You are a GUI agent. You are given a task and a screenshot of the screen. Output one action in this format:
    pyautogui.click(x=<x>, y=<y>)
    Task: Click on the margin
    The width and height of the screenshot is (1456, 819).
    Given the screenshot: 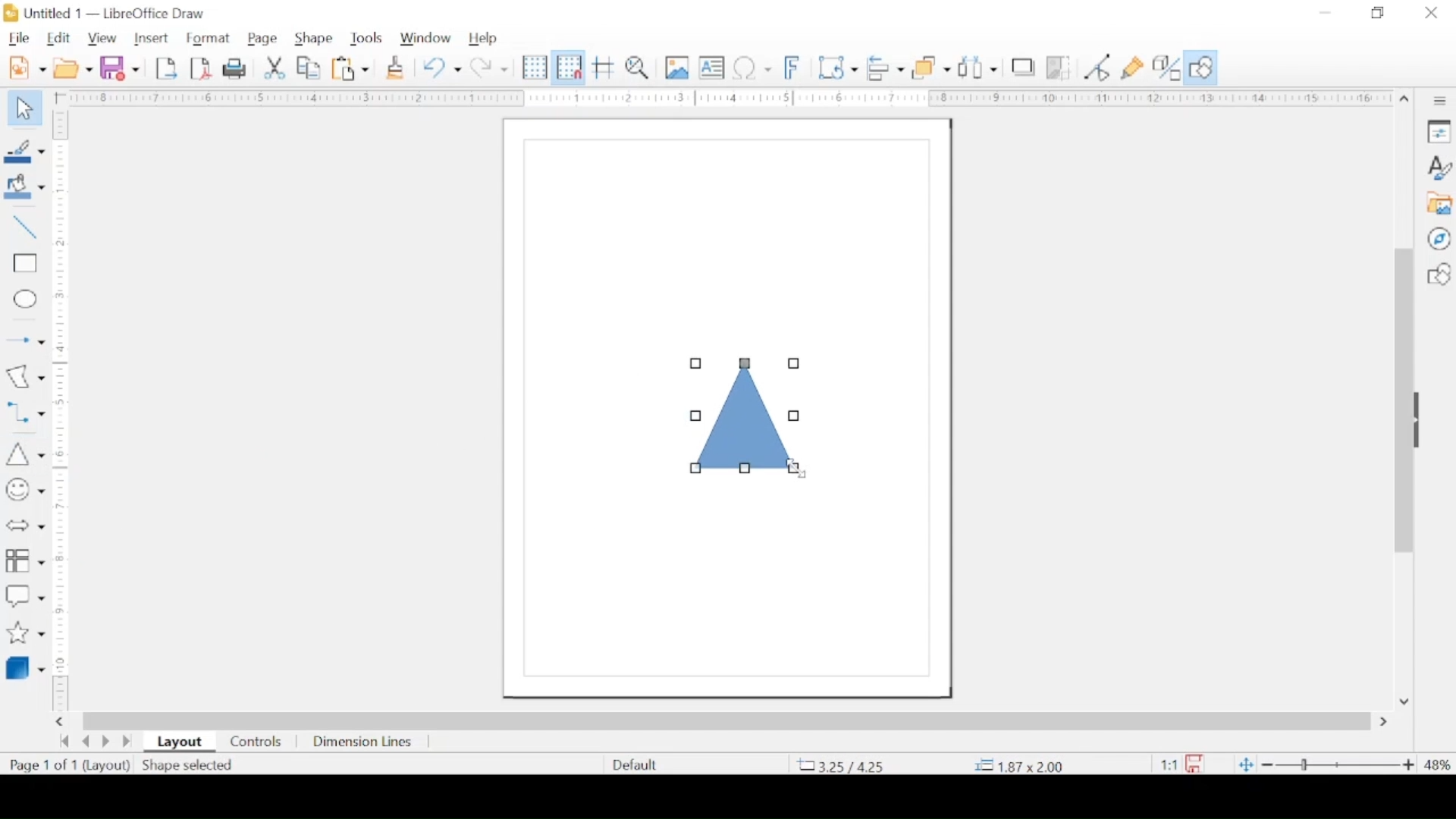 What is the action you would take?
    pyautogui.click(x=724, y=99)
    